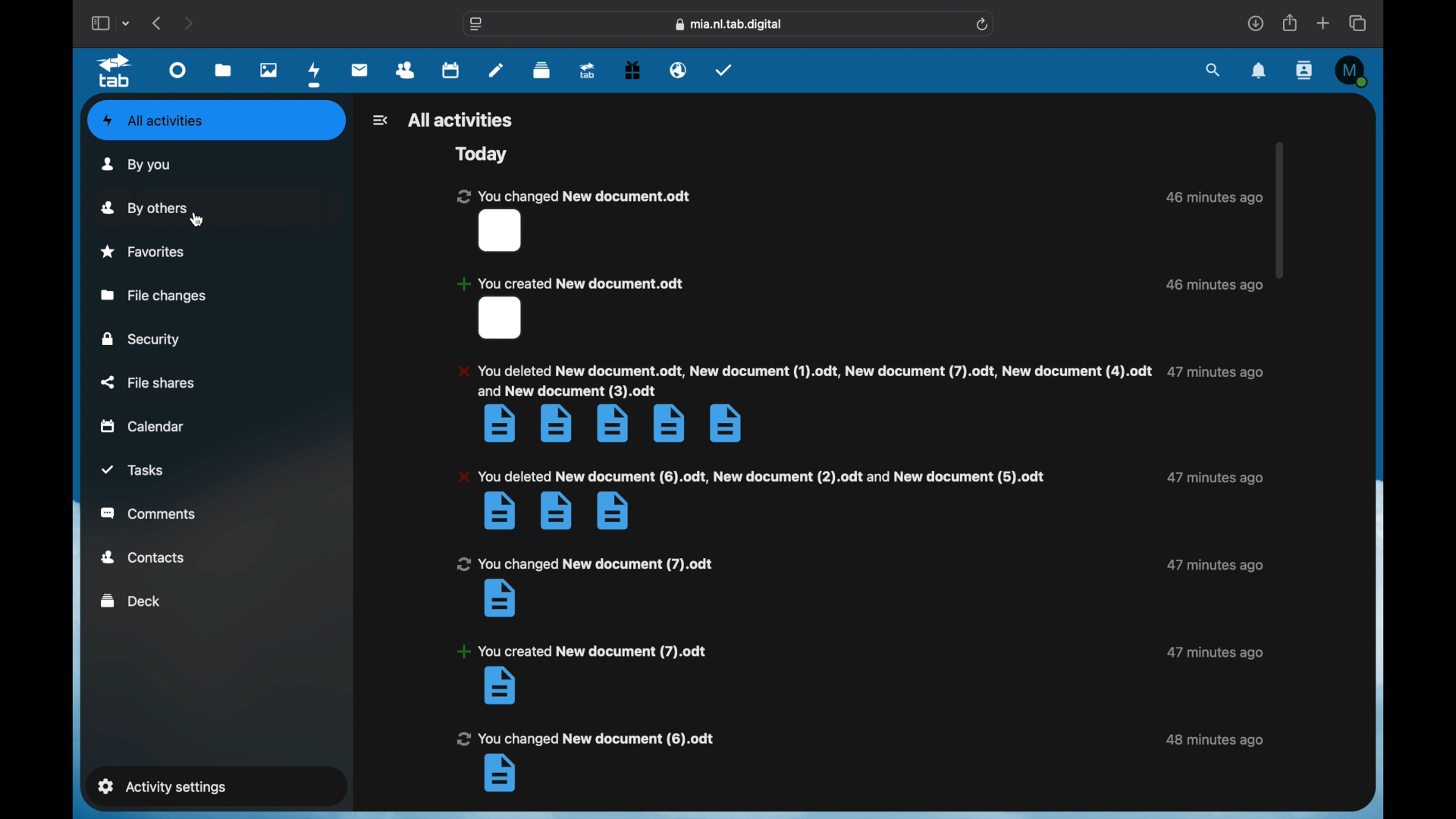 The width and height of the screenshot is (1456, 819). What do you see at coordinates (584, 761) in the screenshot?
I see `notification` at bounding box center [584, 761].